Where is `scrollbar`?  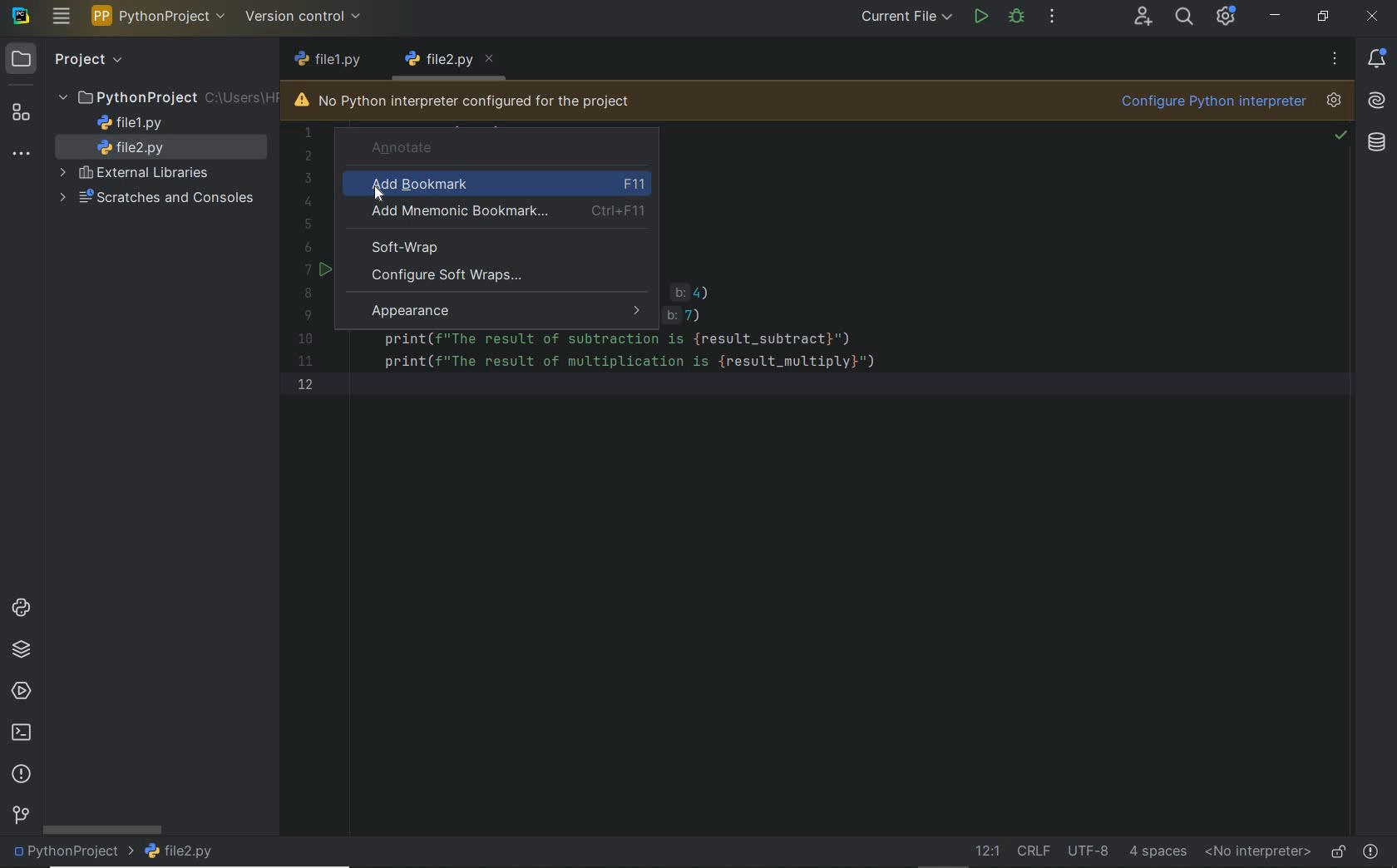 scrollbar is located at coordinates (101, 829).